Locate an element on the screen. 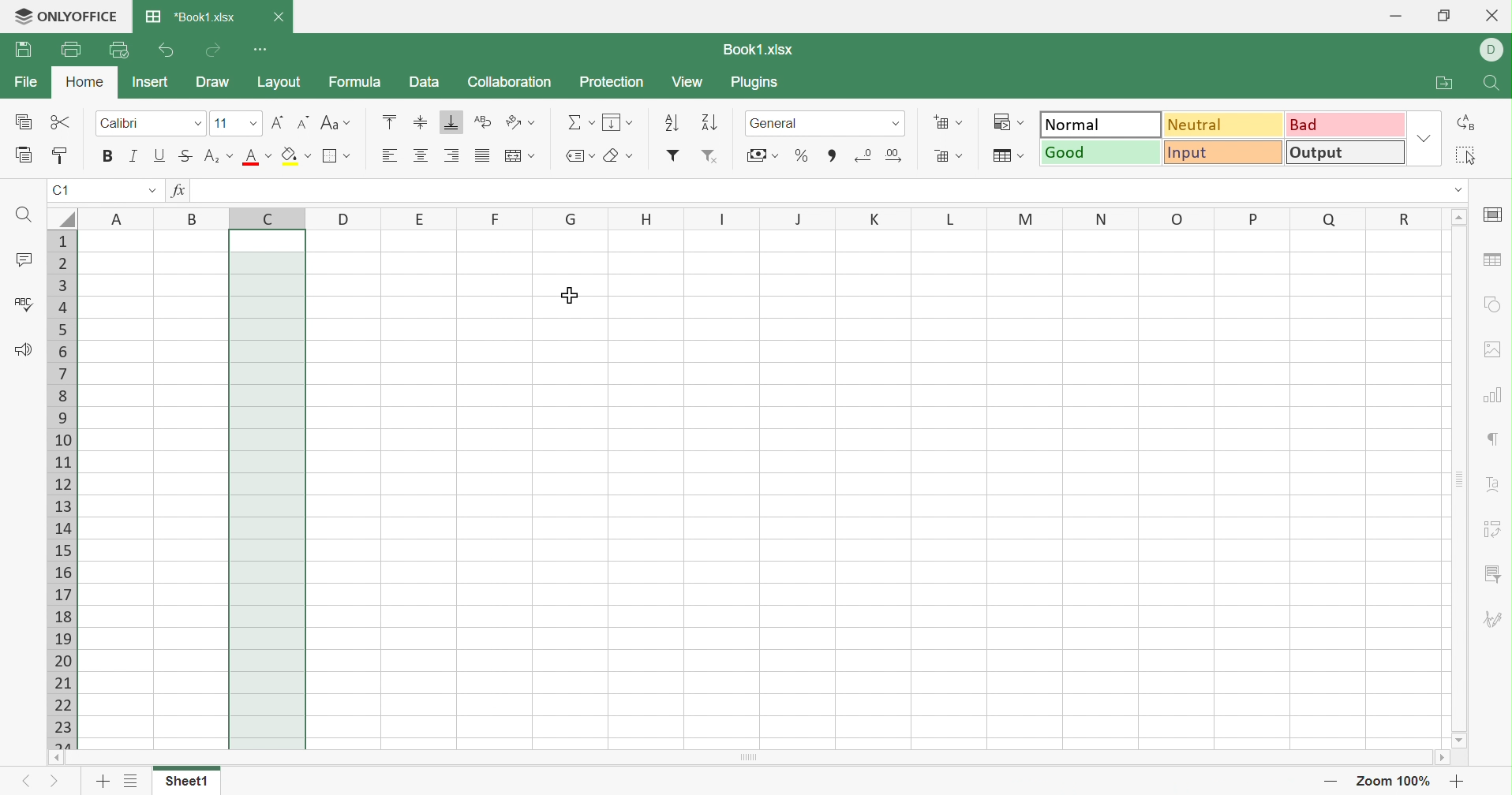 This screenshot has width=1512, height=795. Drop Down is located at coordinates (151, 192).